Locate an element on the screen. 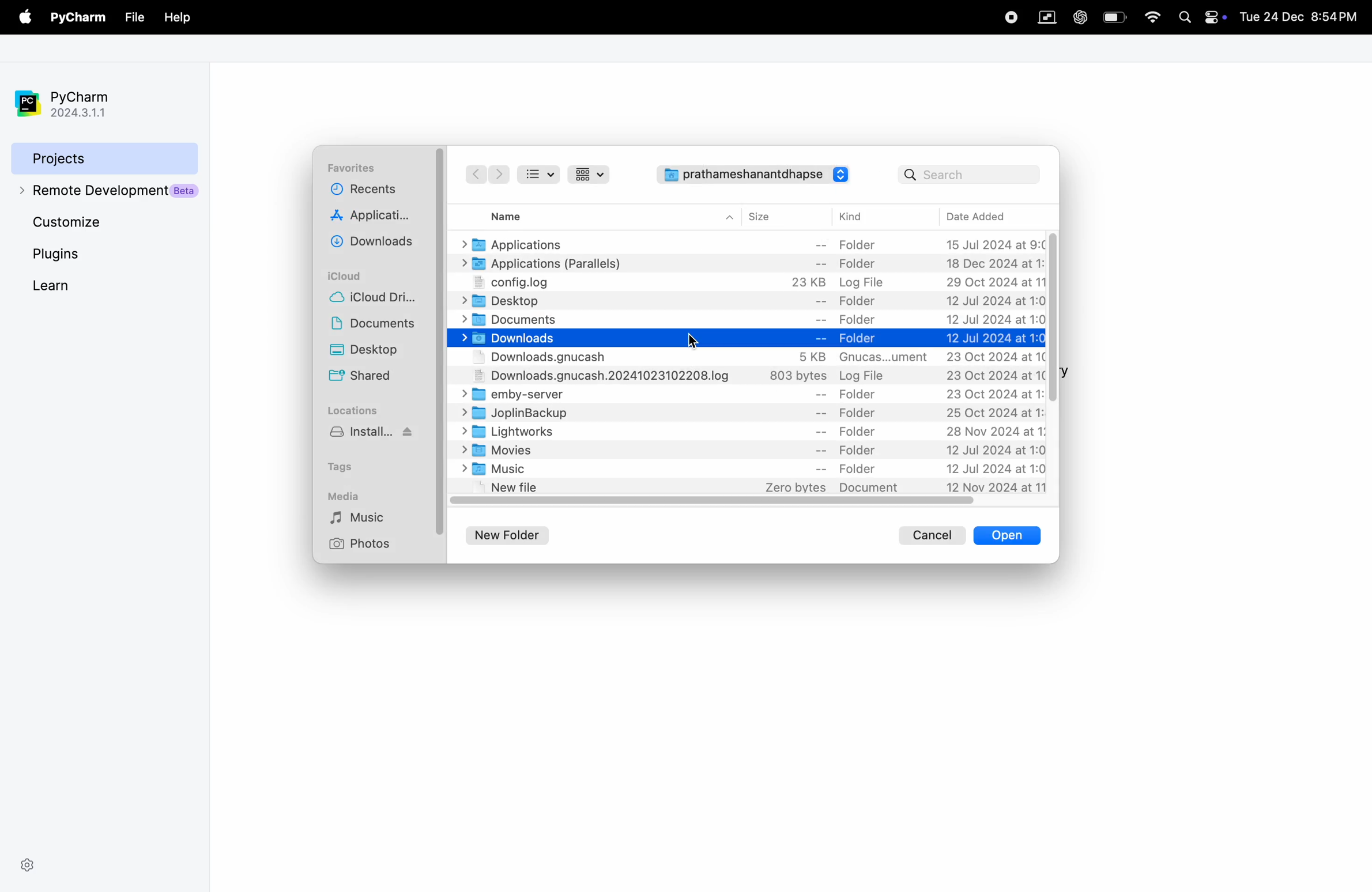 The width and height of the screenshot is (1372, 892). battery is located at coordinates (1217, 16).